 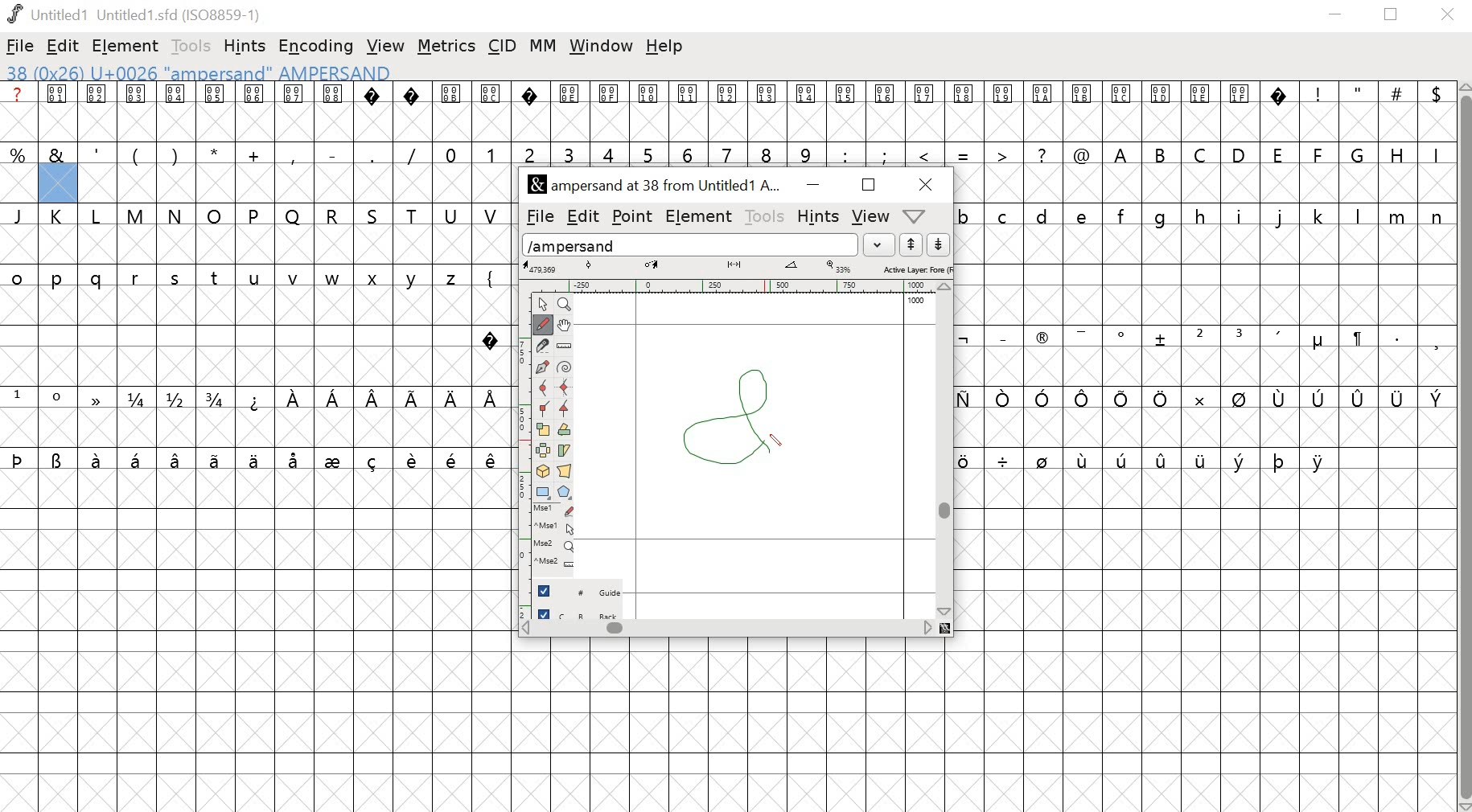 What do you see at coordinates (446, 47) in the screenshot?
I see `metrics` at bounding box center [446, 47].